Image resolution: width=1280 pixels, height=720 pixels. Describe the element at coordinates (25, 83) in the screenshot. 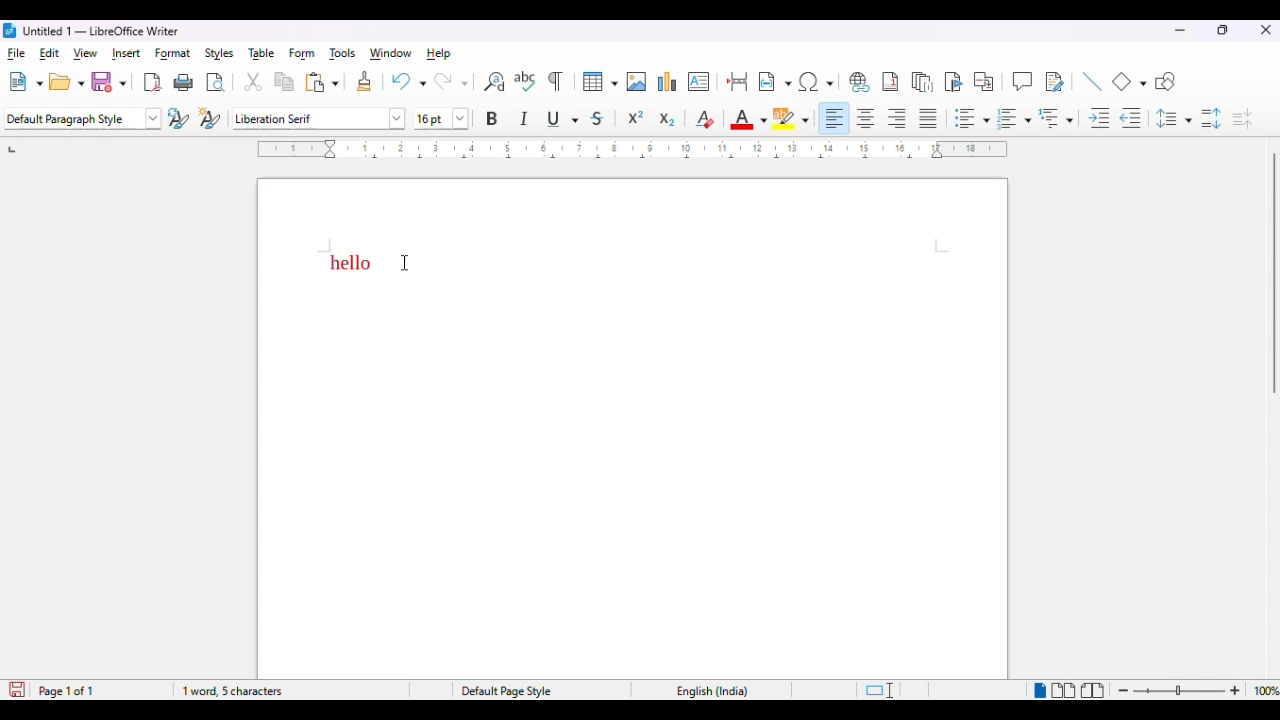

I see `new` at that location.